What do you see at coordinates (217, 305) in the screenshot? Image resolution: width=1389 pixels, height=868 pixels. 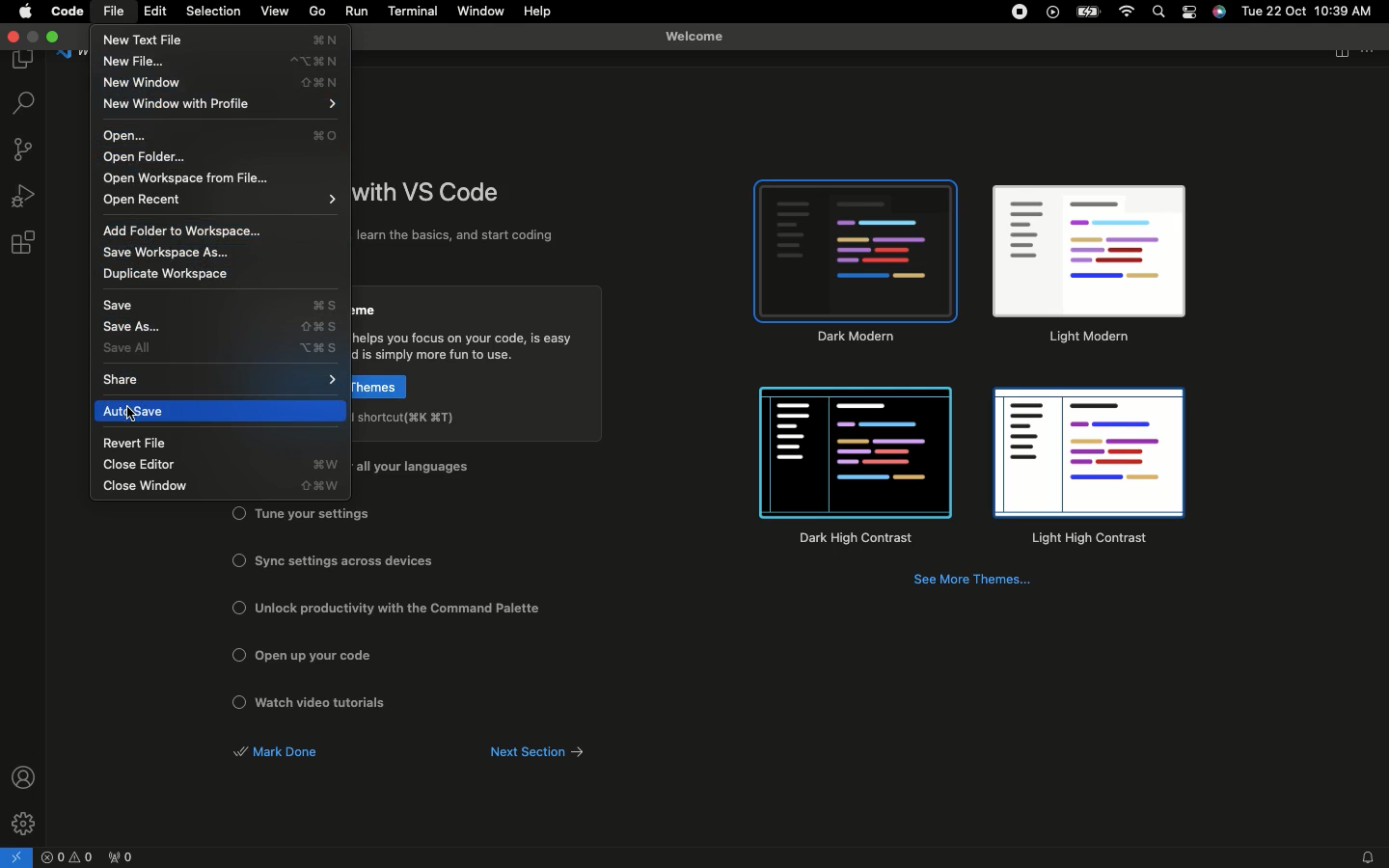 I see `Save` at bounding box center [217, 305].